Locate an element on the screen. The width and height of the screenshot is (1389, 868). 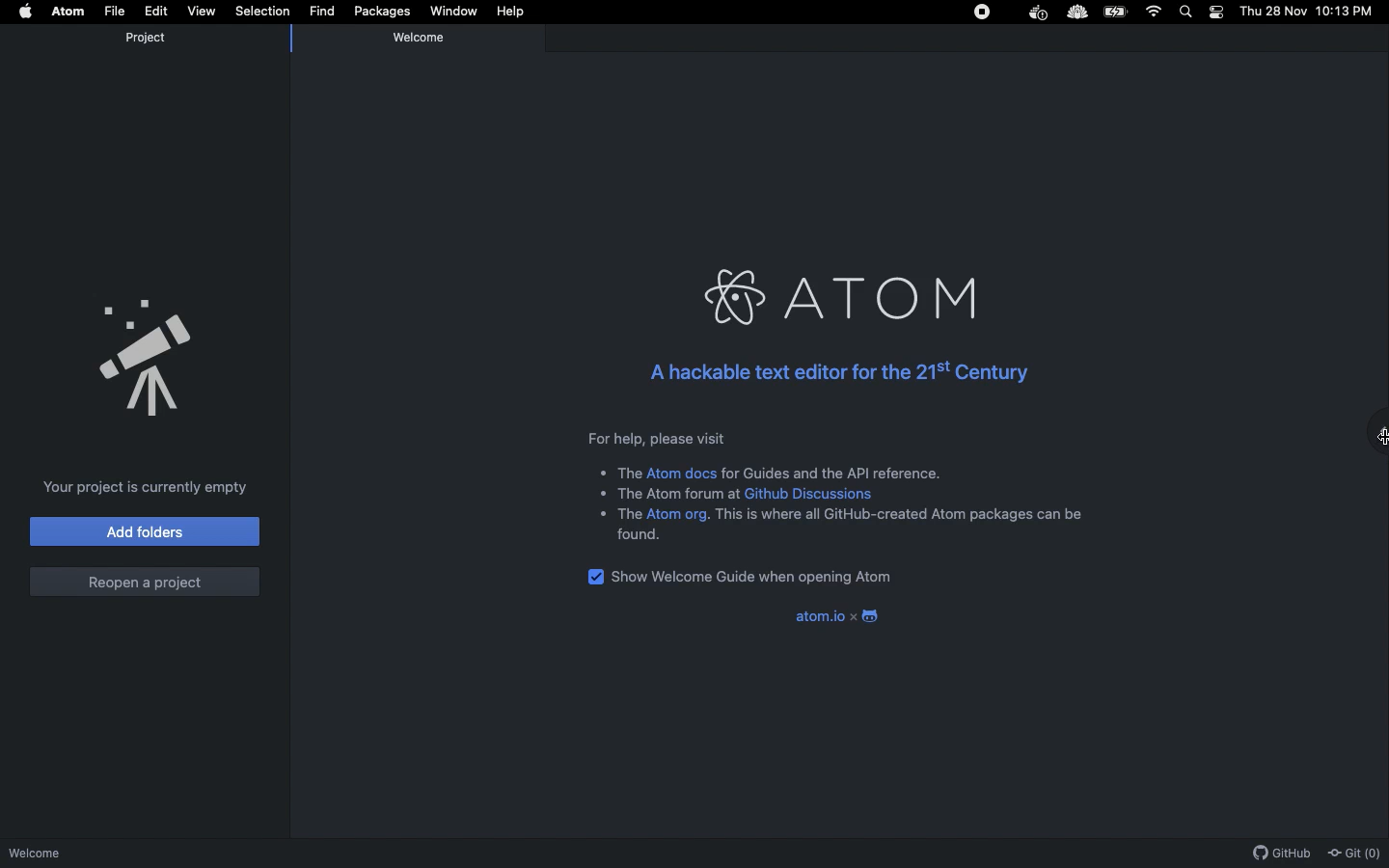
Notification is located at coordinates (1217, 12).